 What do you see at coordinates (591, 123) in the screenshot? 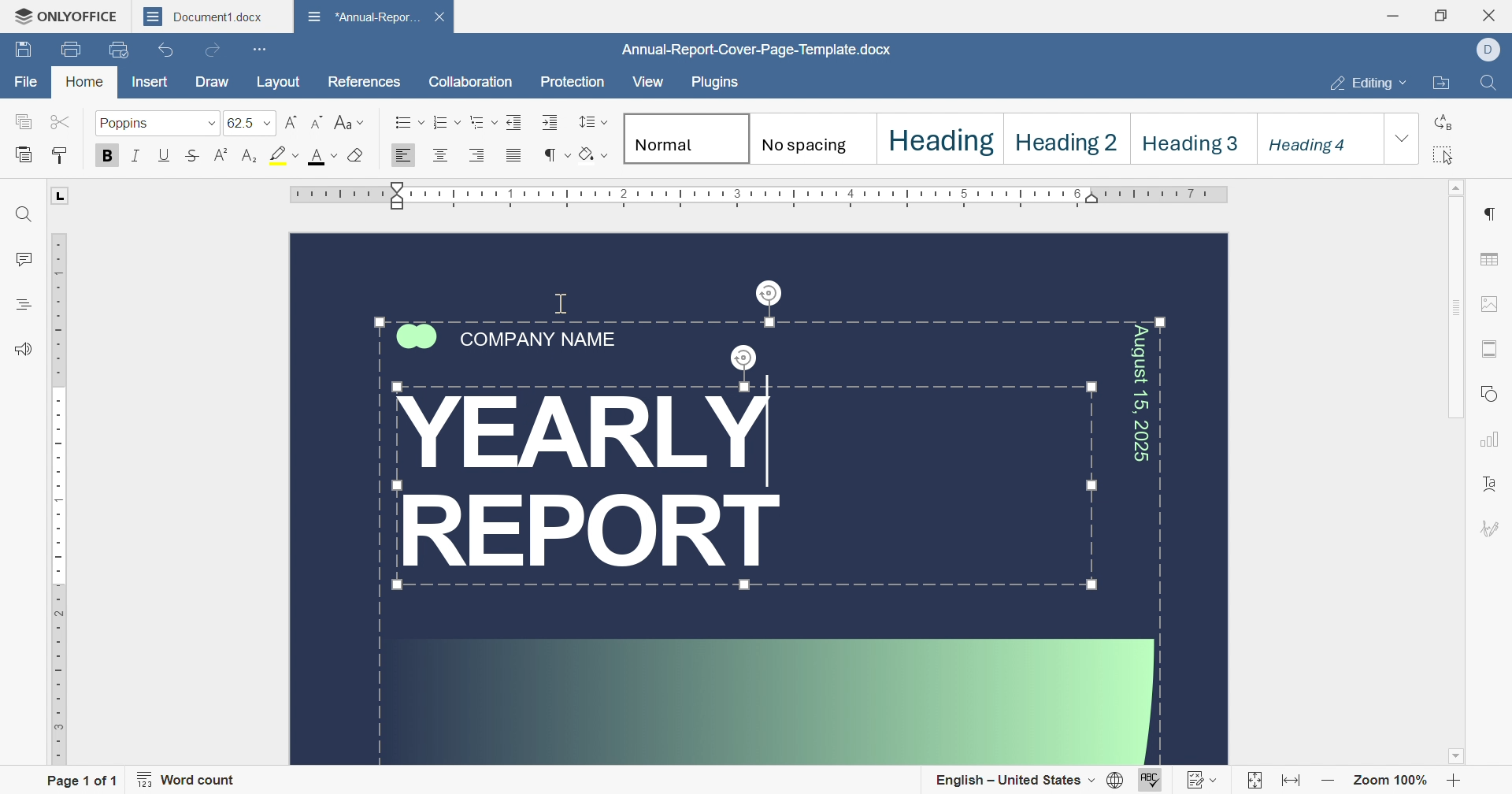
I see `paragraph line spacing` at bounding box center [591, 123].